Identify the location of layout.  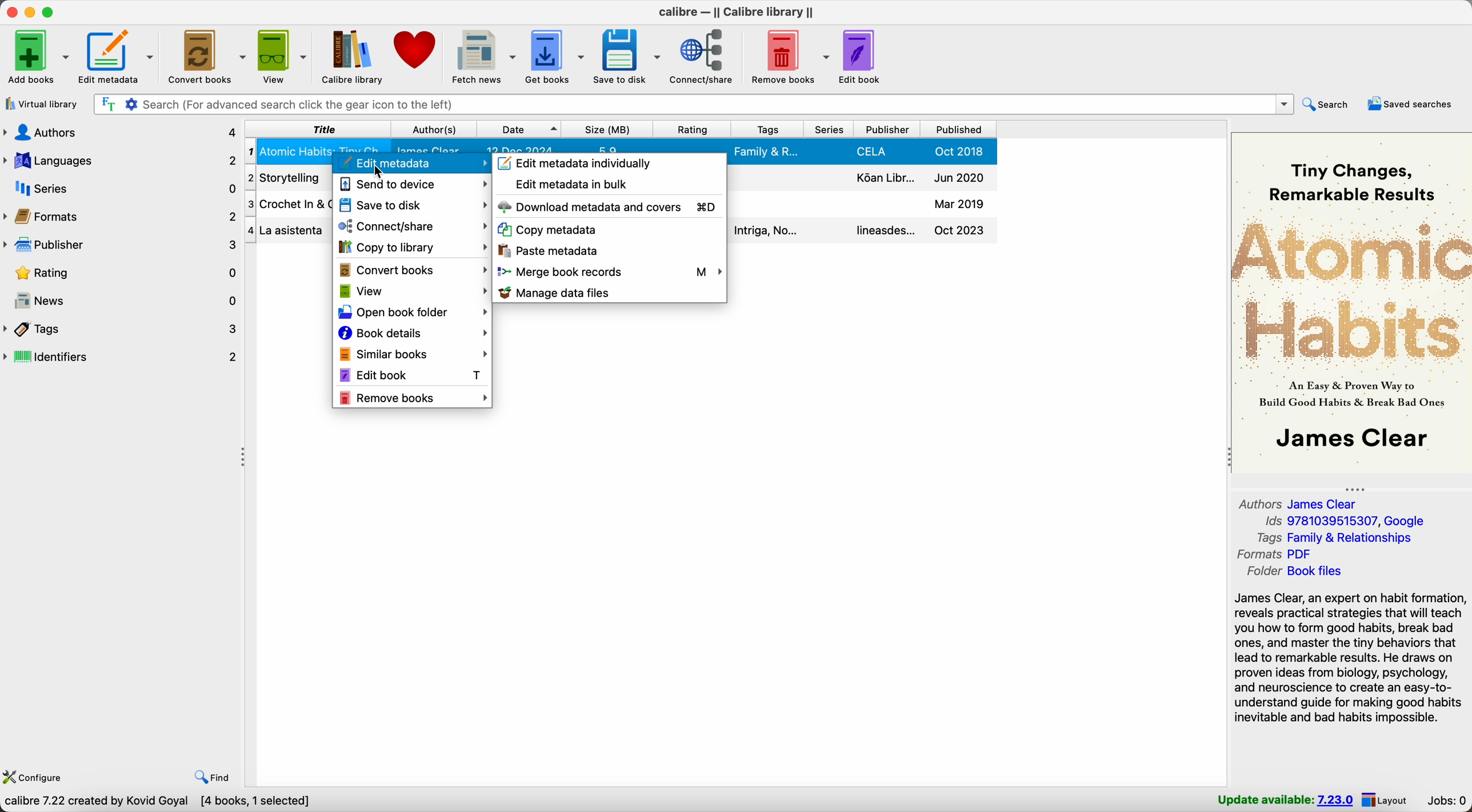
(1392, 801).